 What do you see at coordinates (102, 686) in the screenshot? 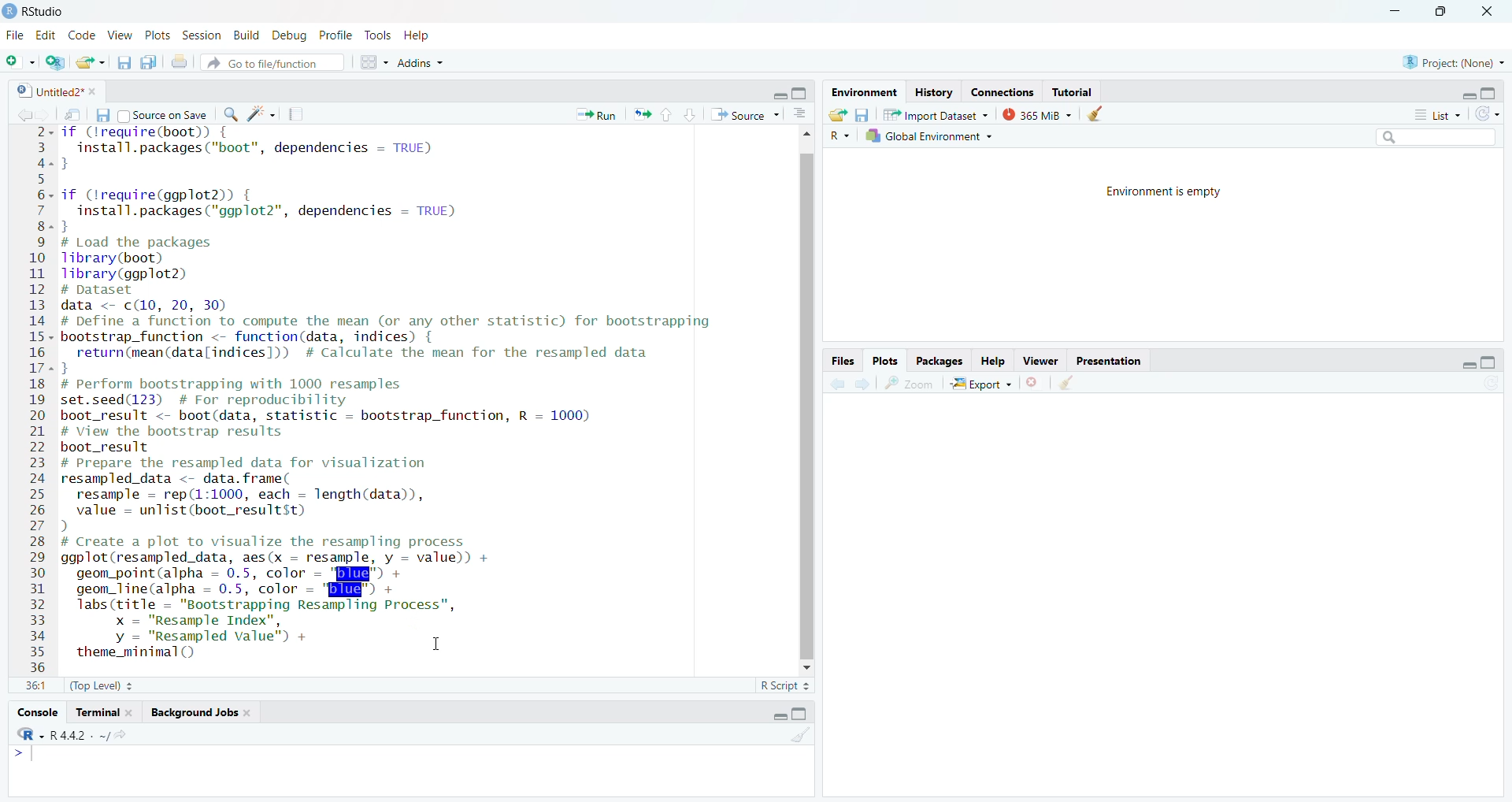
I see `(Top Level) ` at bounding box center [102, 686].